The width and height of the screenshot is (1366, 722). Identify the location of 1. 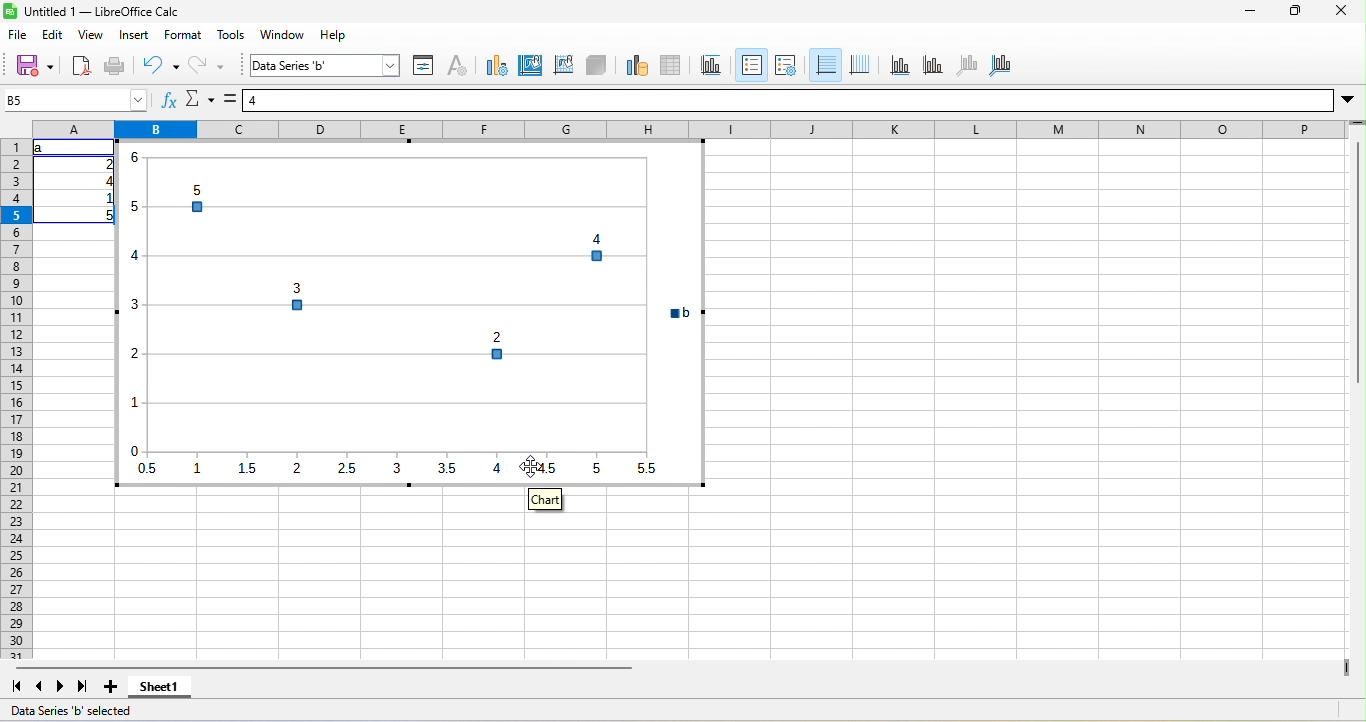
(105, 198).